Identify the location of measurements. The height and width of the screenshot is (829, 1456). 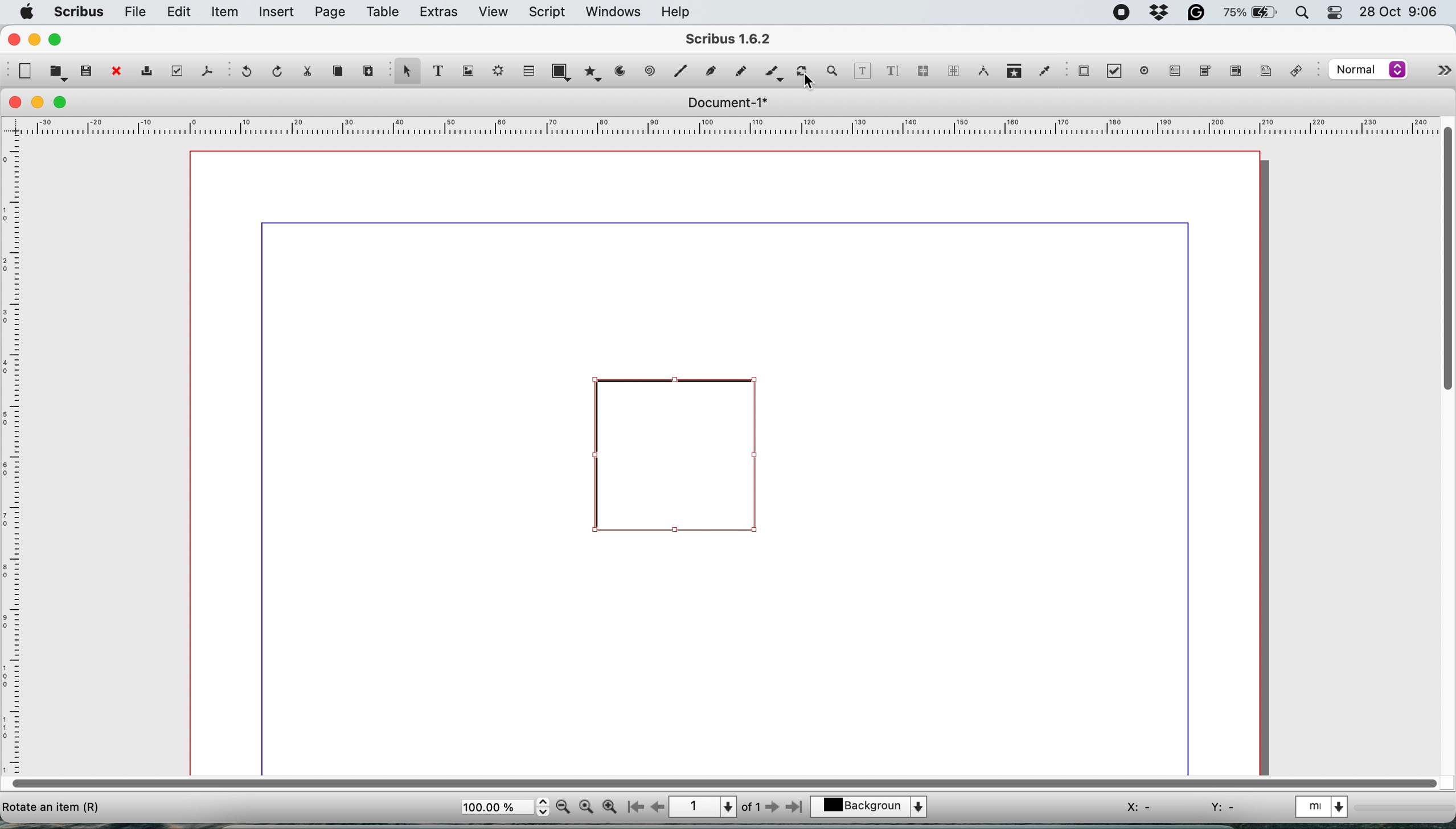
(982, 72).